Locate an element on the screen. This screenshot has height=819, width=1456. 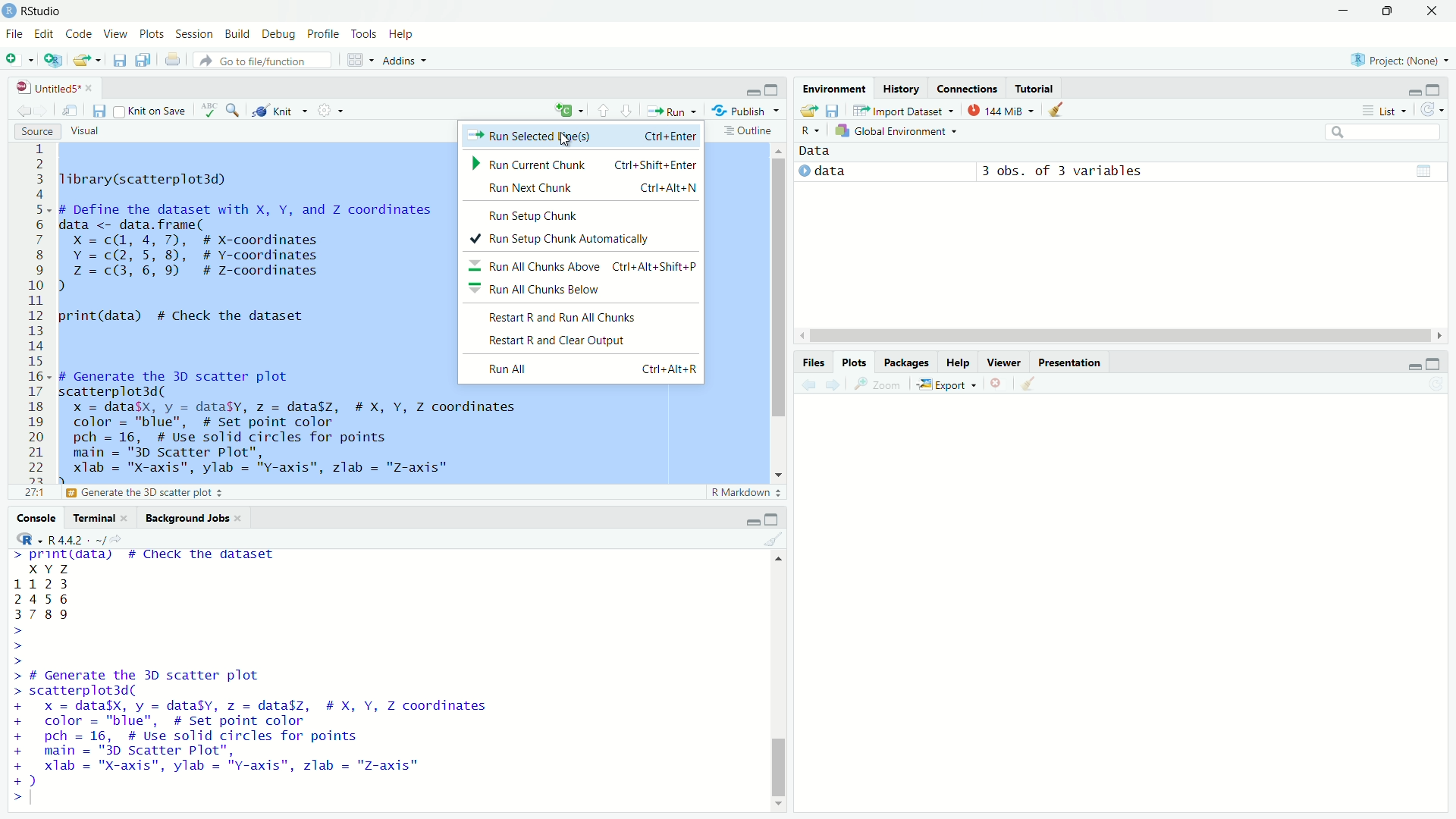
refresh the list of objects in the environment is located at coordinates (1437, 109).